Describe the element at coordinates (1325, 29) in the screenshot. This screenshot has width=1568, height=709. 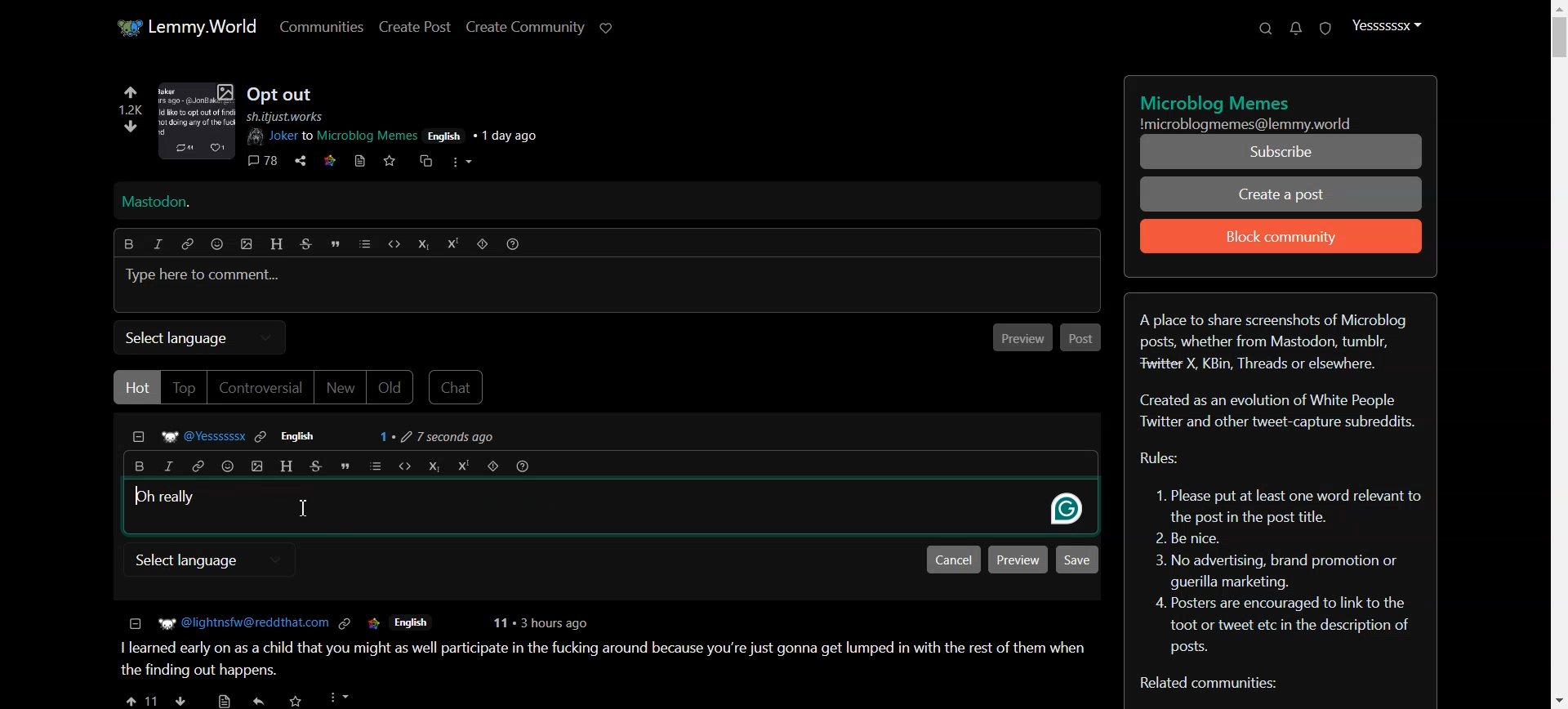
I see `Unread report` at that location.